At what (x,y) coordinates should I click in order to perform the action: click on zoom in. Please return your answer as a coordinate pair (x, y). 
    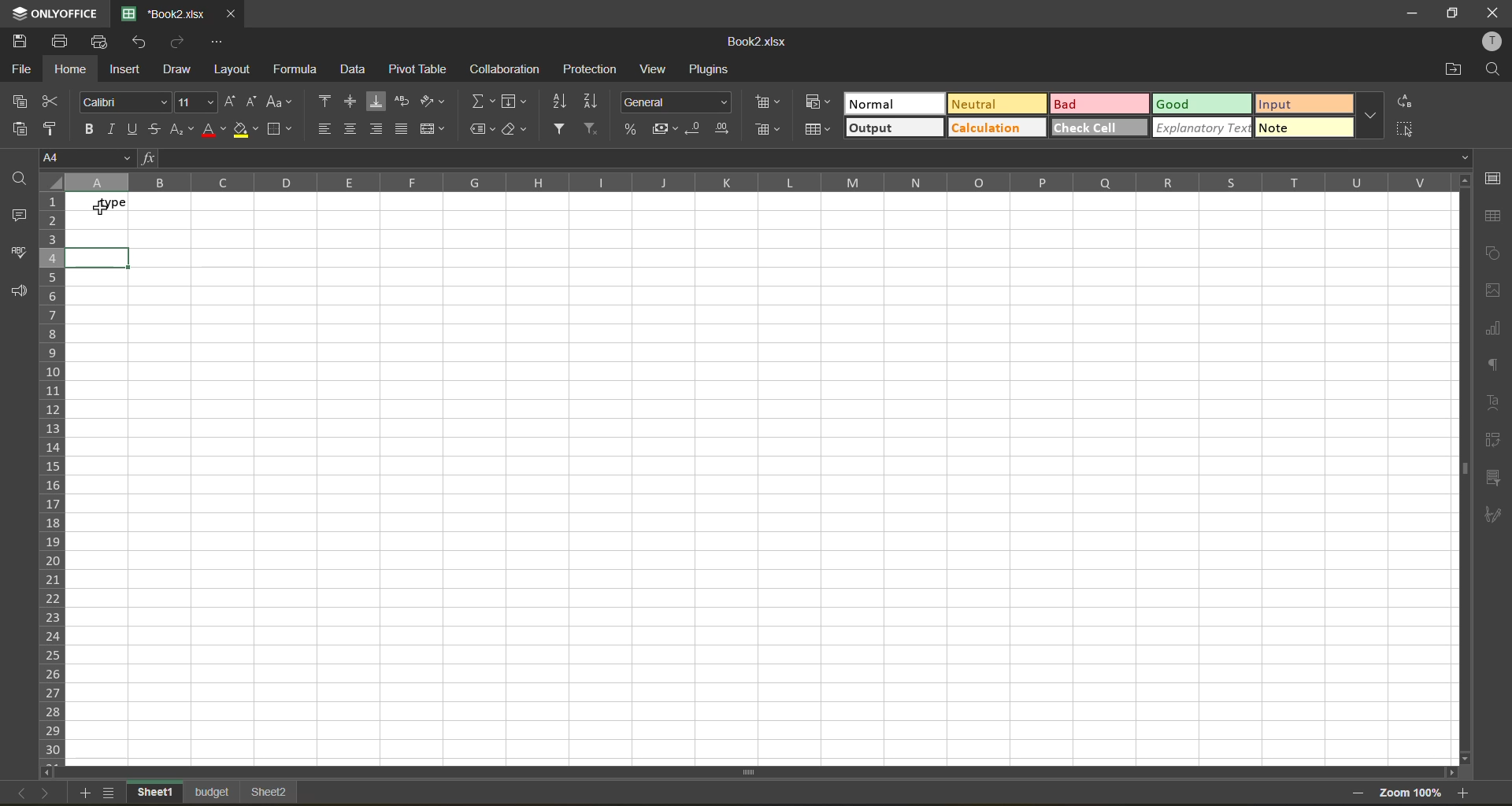
    Looking at the image, I should click on (1467, 792).